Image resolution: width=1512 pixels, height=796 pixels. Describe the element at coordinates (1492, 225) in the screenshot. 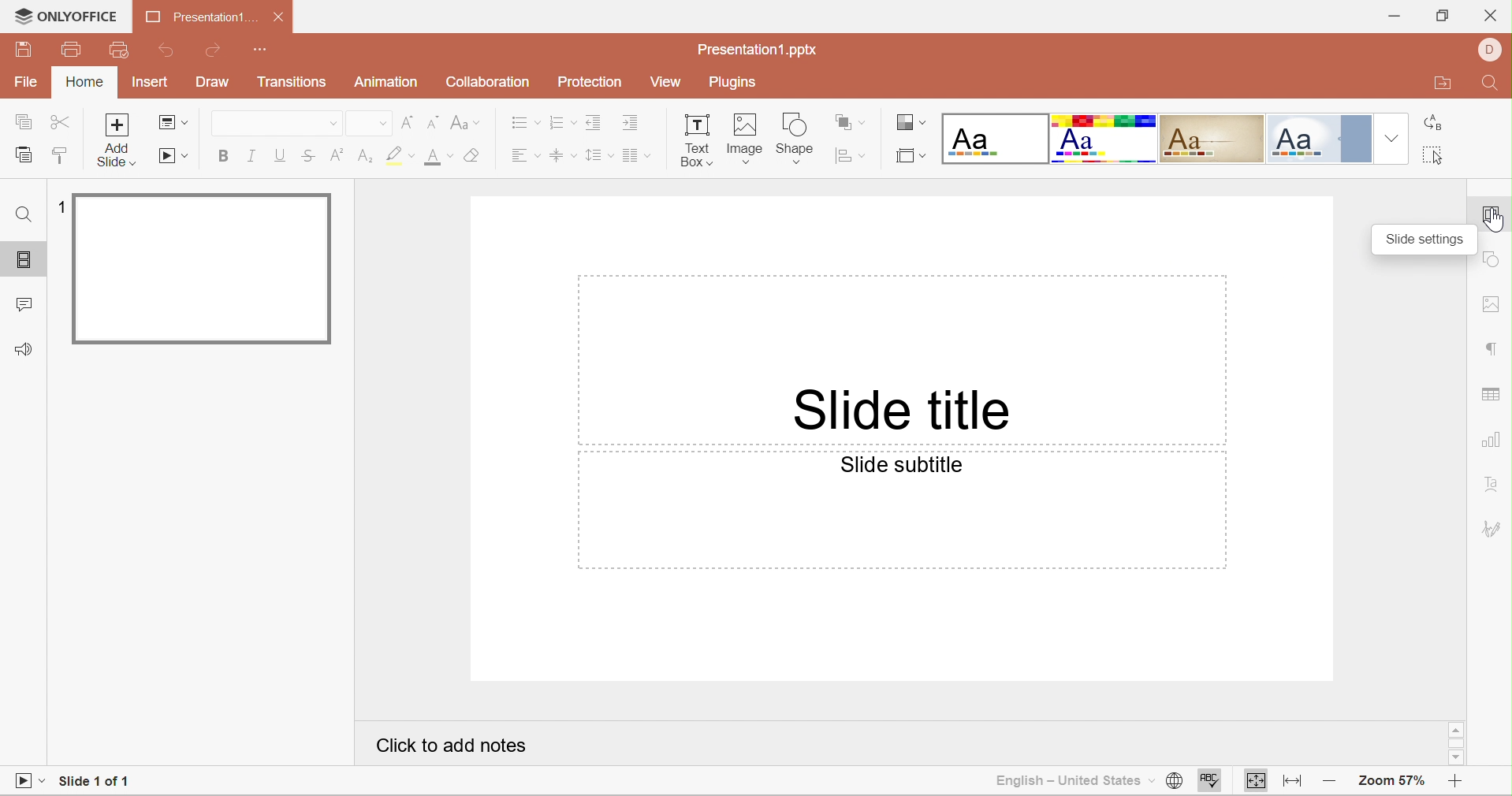

I see `cursor` at that location.